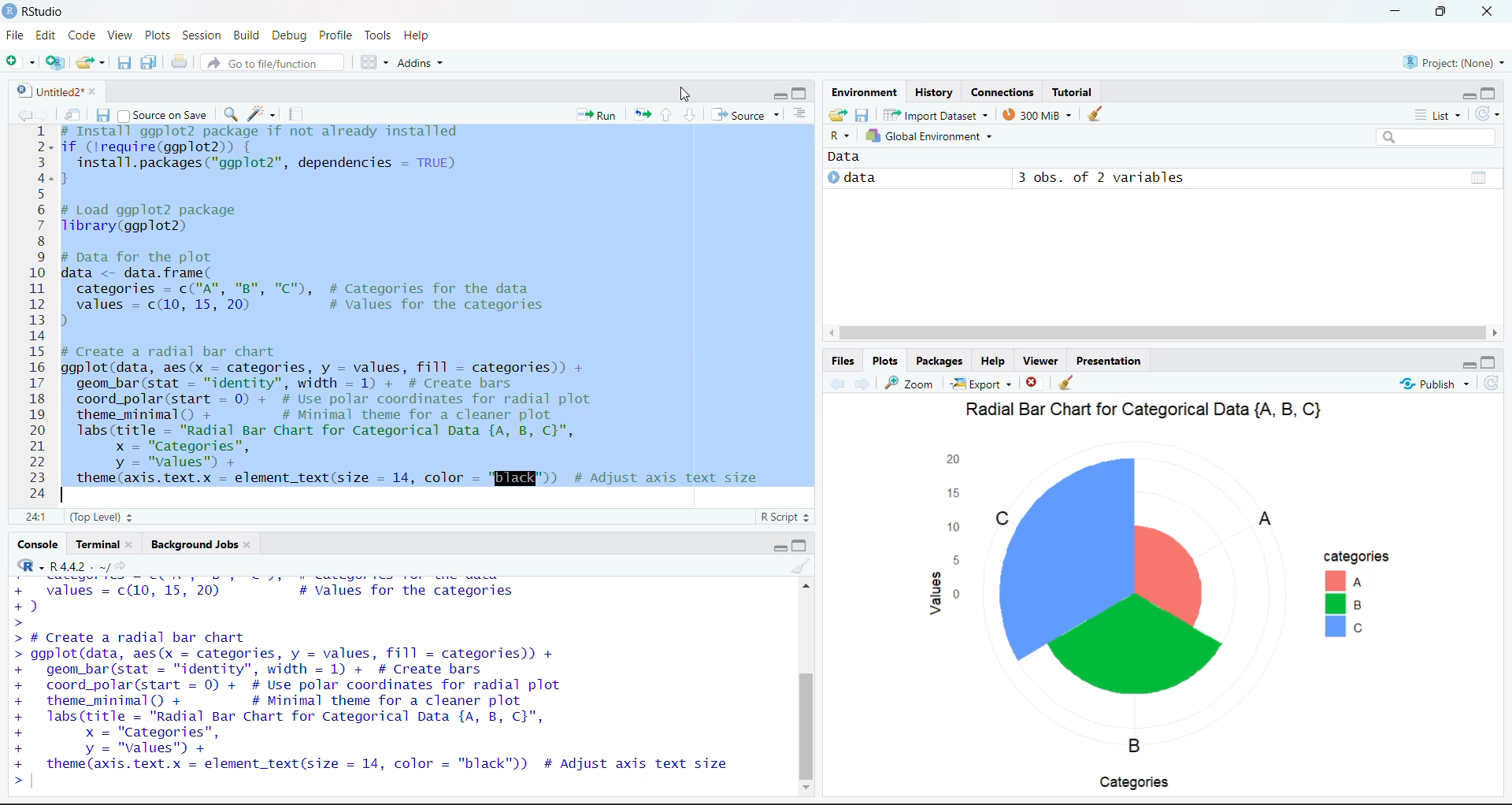 The image size is (1512, 805). I want to click on open an existing file, so click(89, 61).